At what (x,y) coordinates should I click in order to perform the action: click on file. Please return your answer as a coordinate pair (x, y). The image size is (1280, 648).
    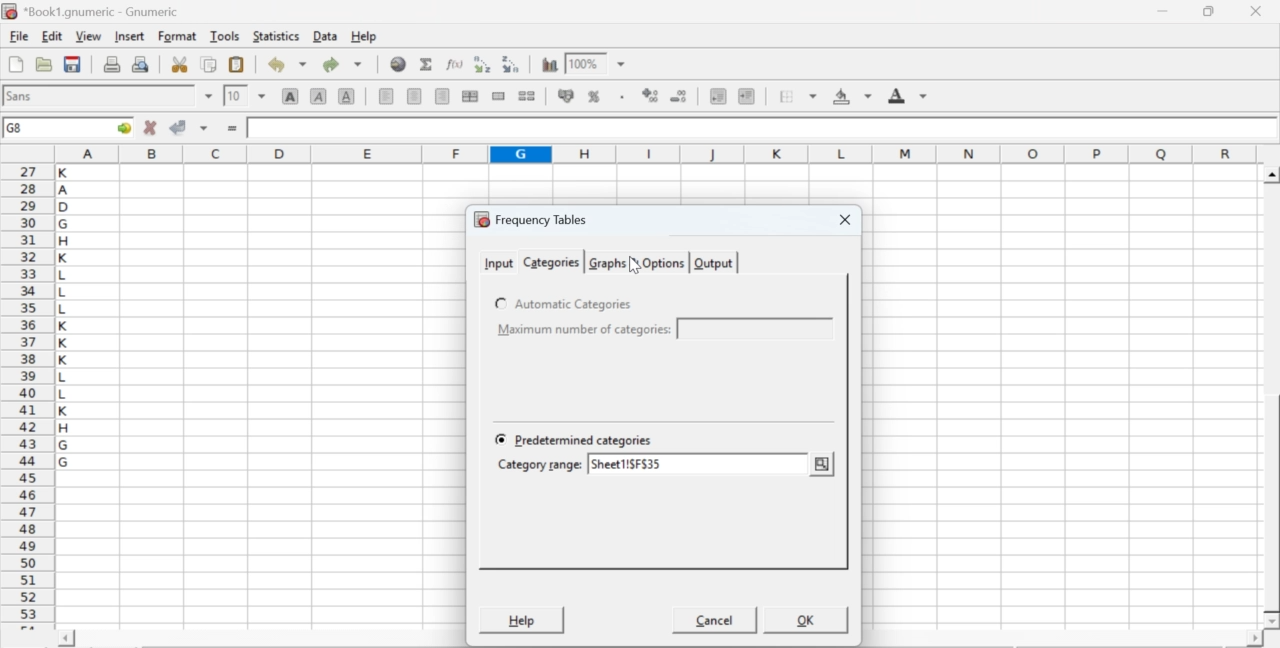
    Looking at the image, I should click on (18, 37).